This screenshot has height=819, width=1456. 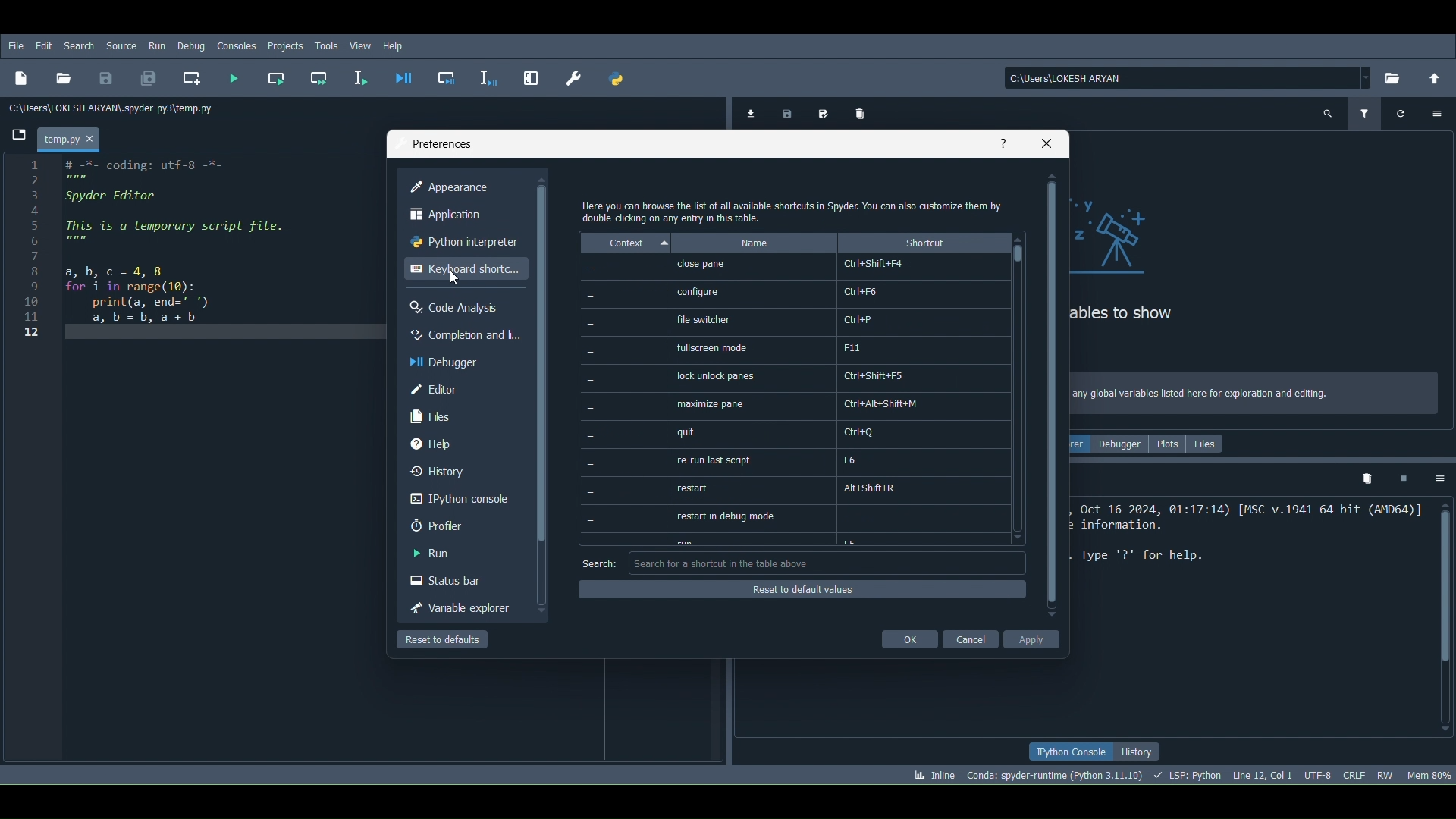 I want to click on IPython console, so click(x=457, y=497).